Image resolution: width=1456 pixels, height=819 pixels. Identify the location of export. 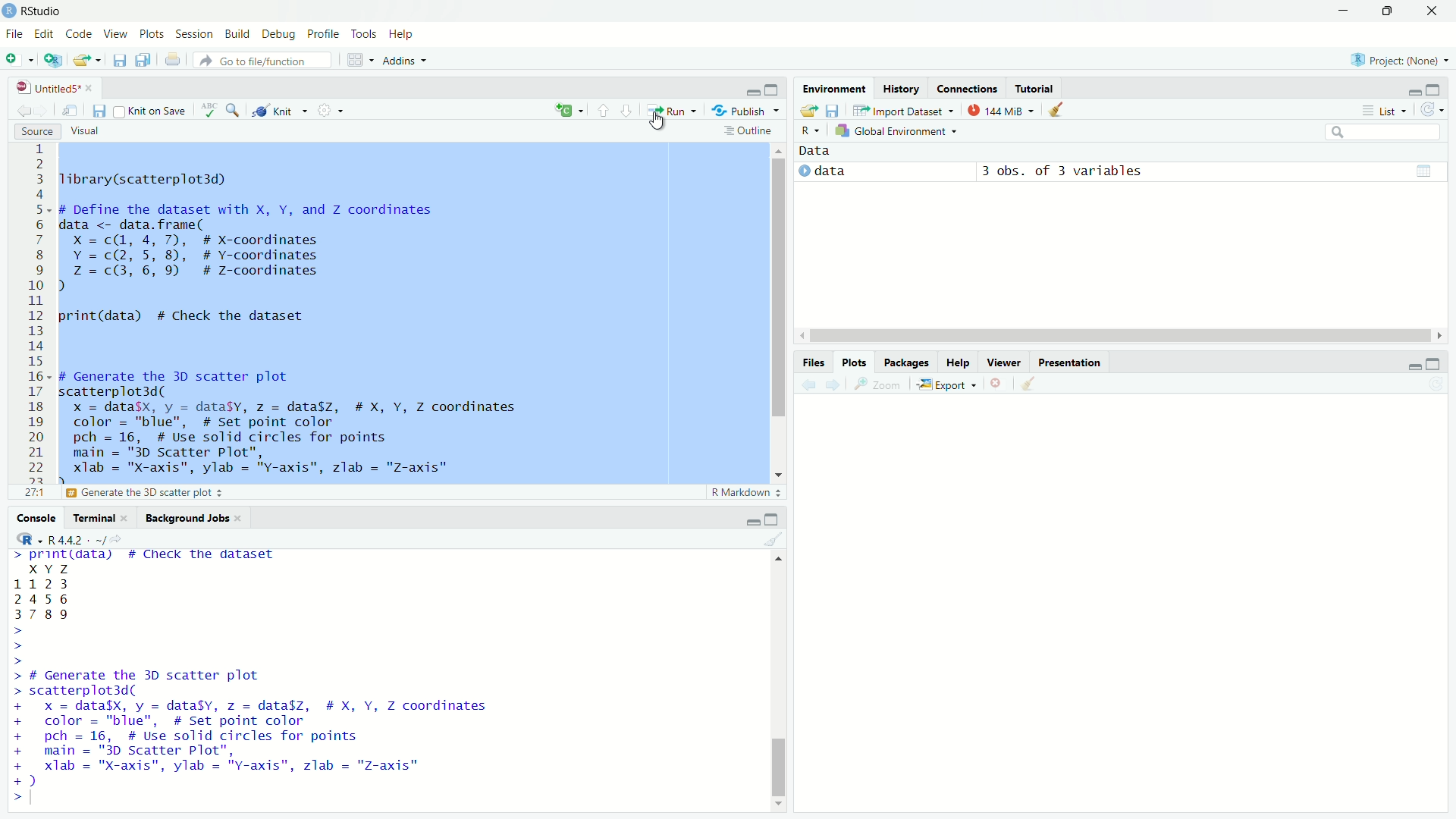
(946, 383).